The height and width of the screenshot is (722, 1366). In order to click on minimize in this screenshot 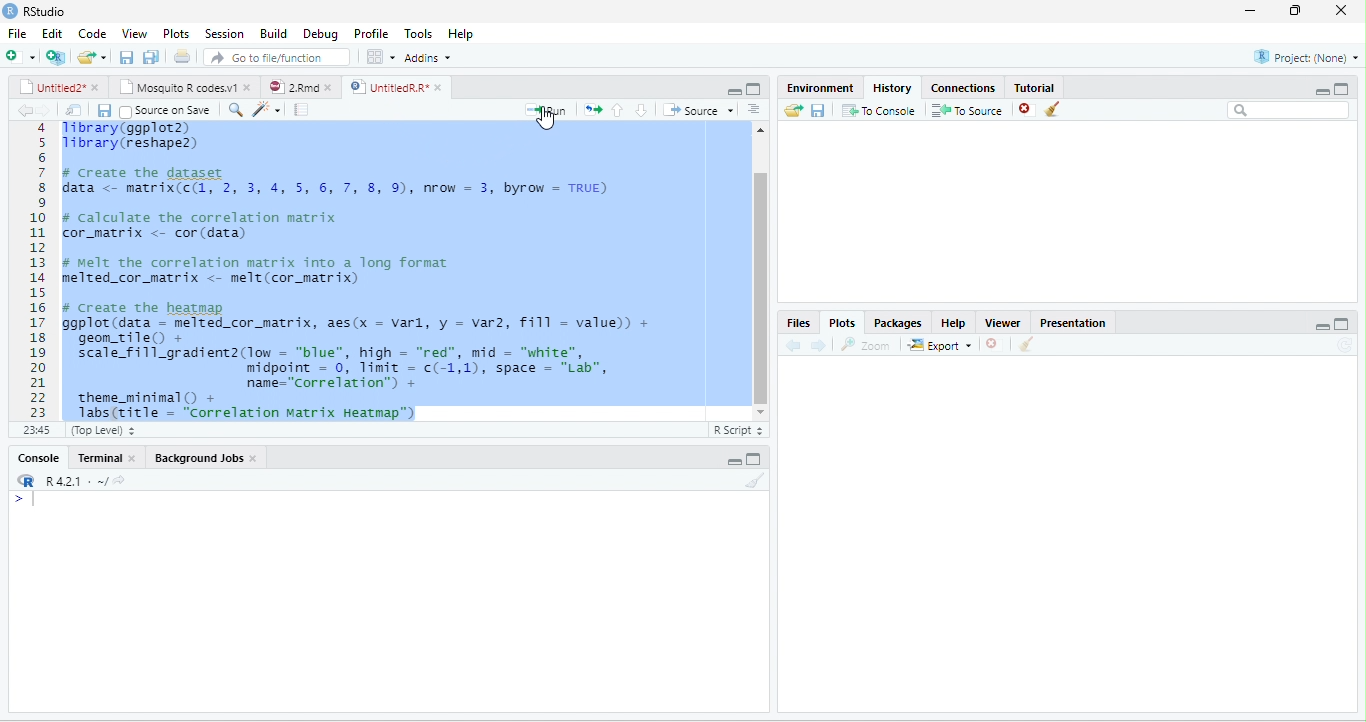, I will do `click(1313, 89)`.